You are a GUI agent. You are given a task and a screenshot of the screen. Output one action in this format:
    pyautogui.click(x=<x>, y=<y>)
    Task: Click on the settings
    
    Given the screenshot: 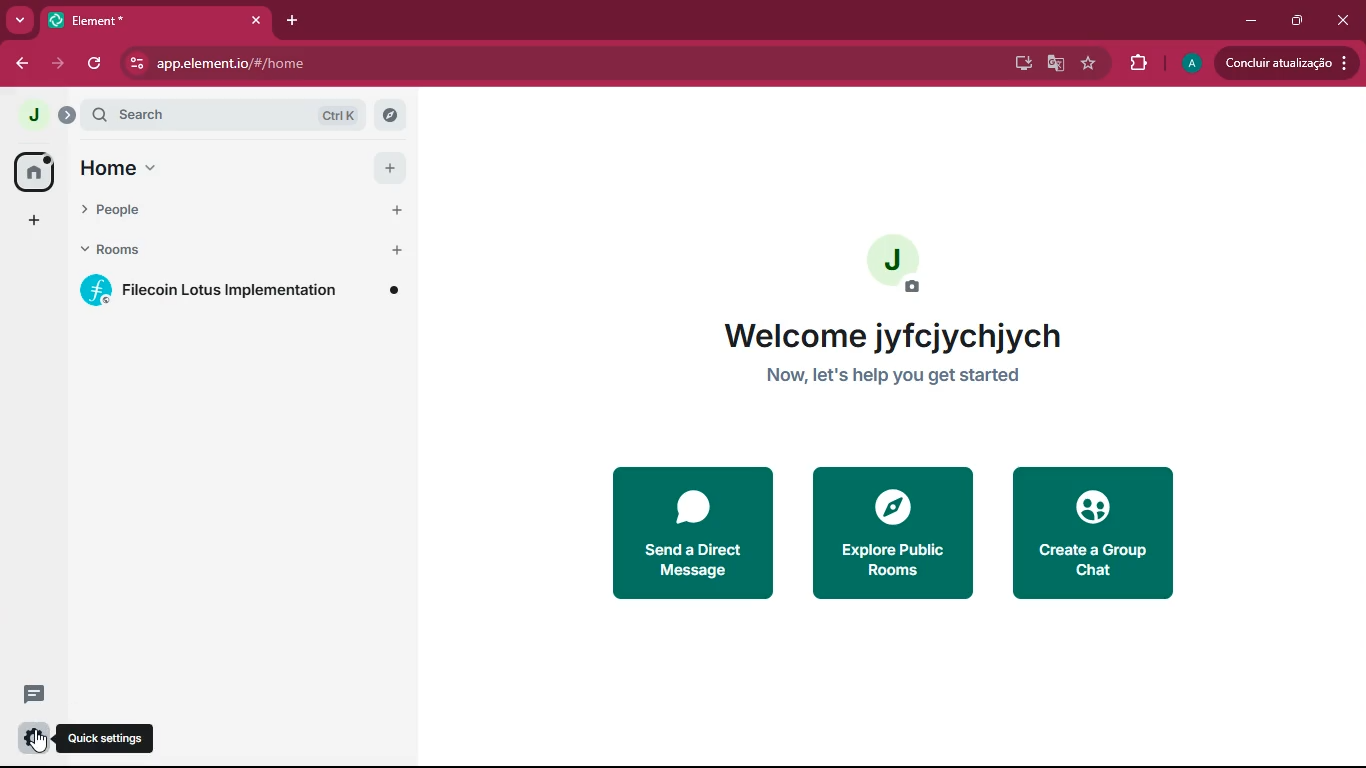 What is the action you would take?
    pyautogui.click(x=32, y=738)
    